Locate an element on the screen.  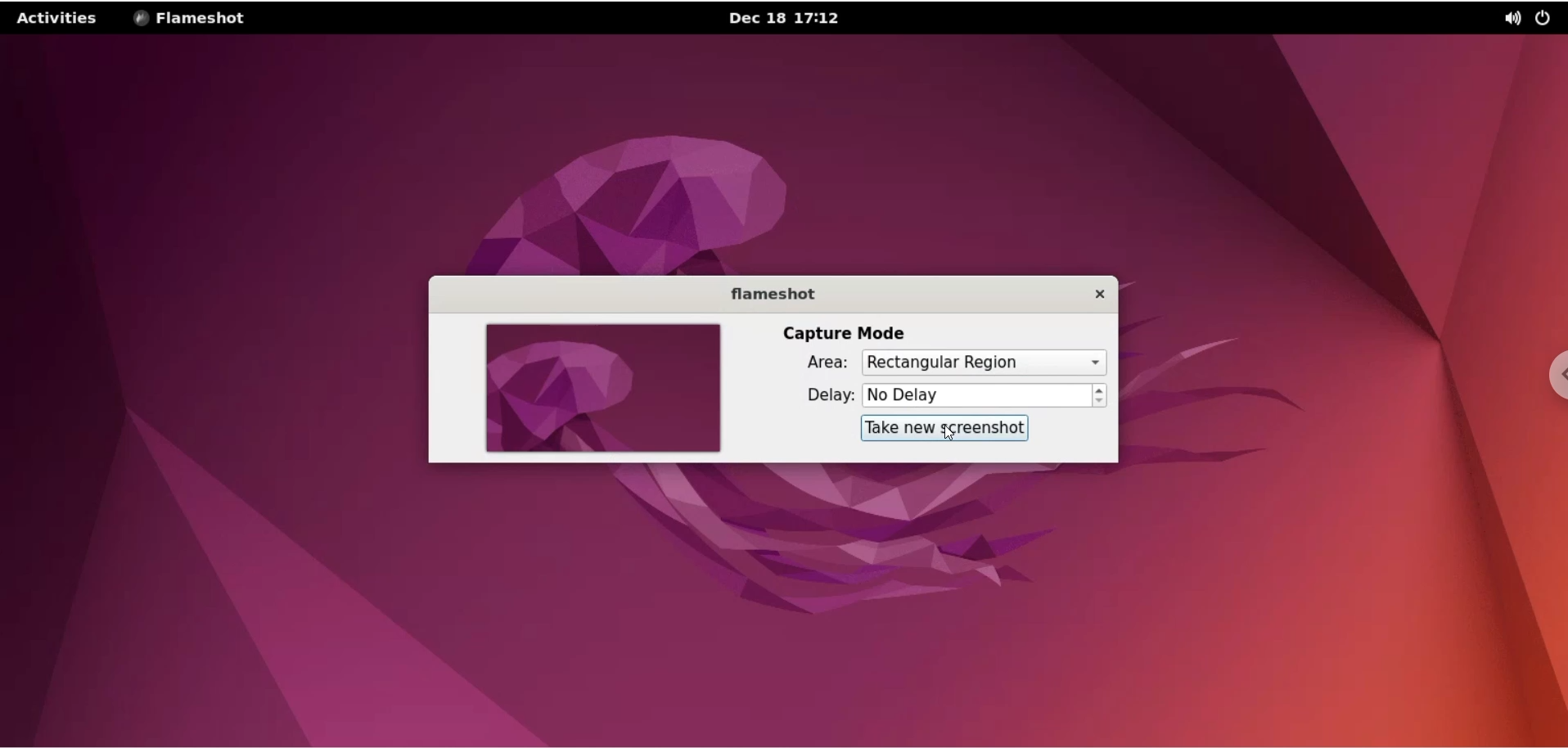
delay label is located at coordinates (819, 395).